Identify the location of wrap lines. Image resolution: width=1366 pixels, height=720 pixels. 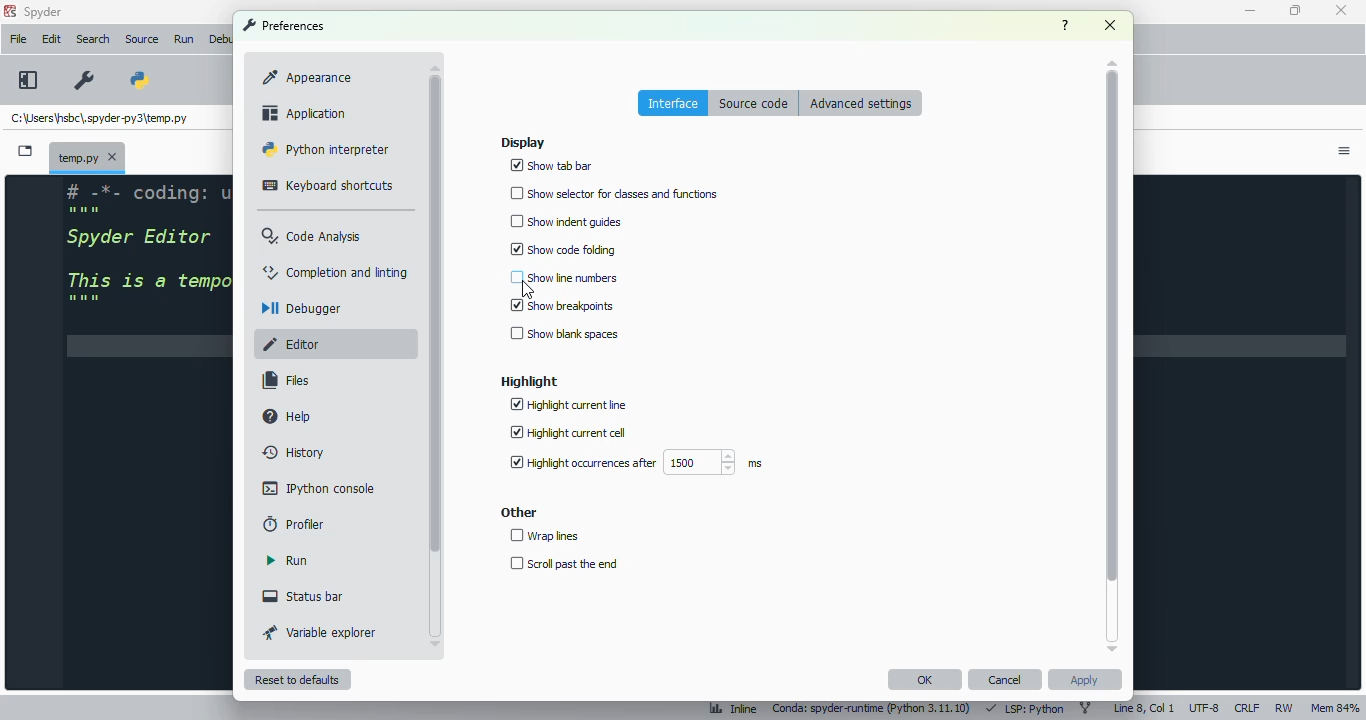
(544, 535).